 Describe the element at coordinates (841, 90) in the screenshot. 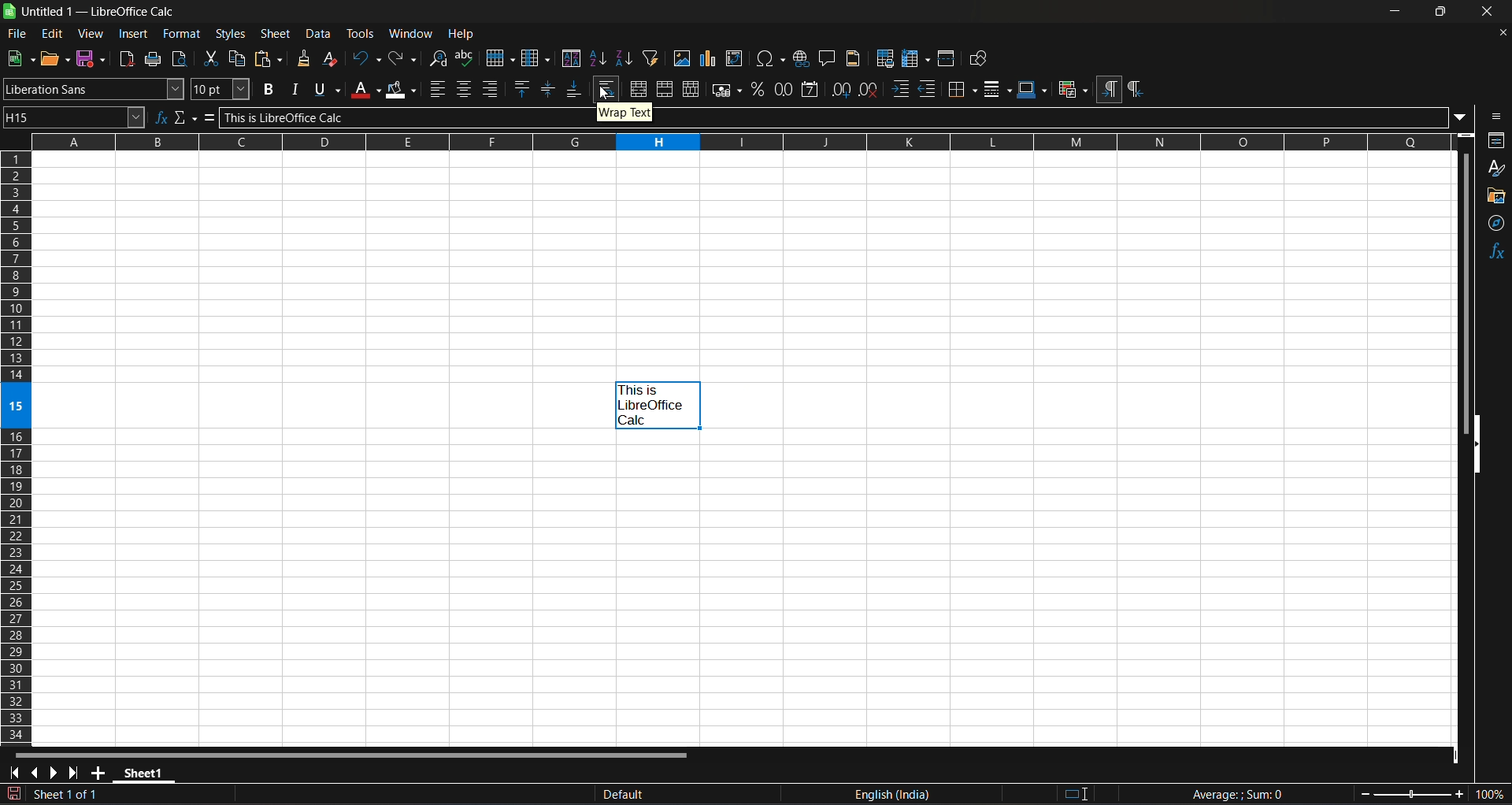

I see `add decimal place` at that location.